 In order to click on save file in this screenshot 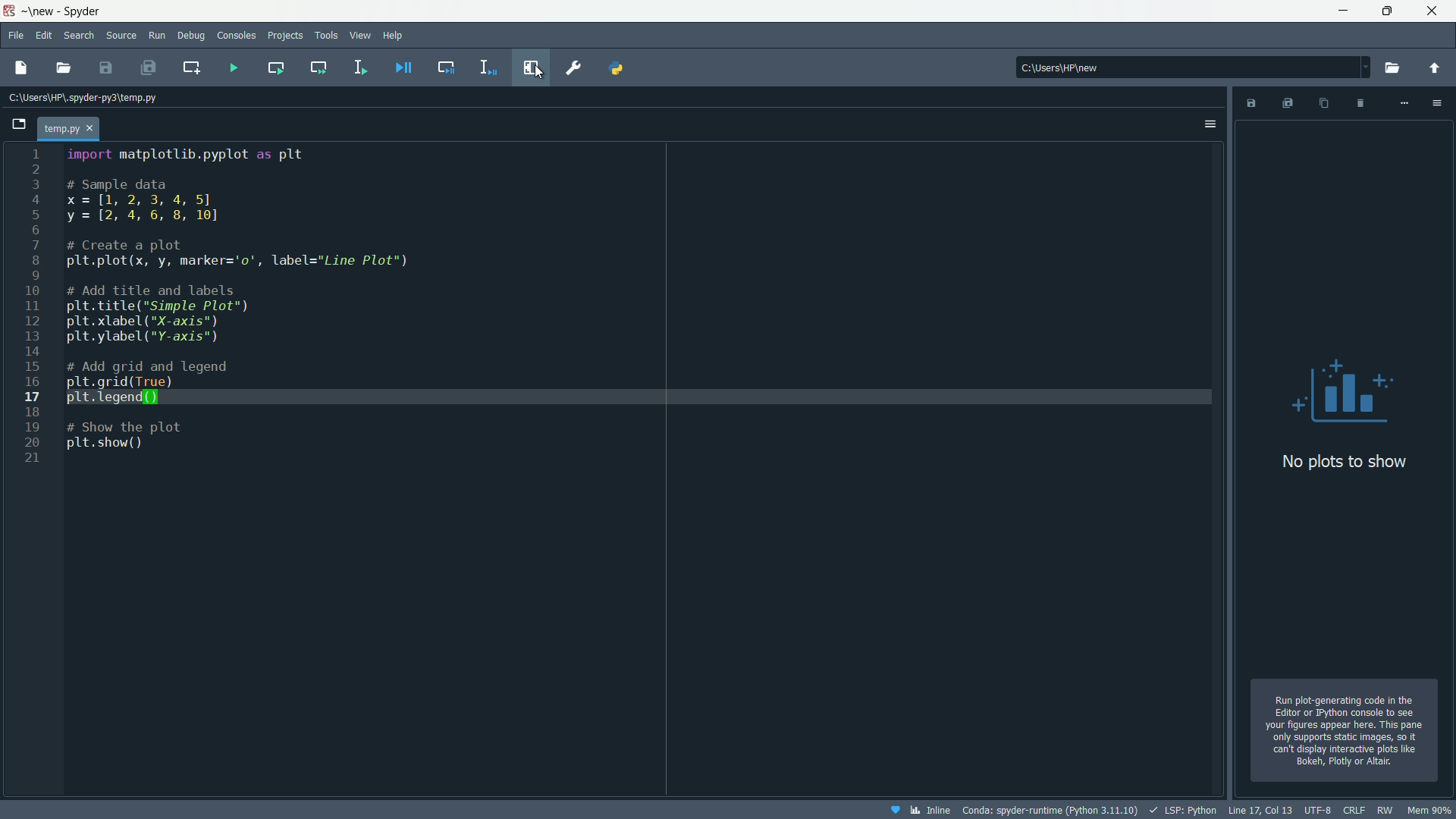, I will do `click(104, 67)`.